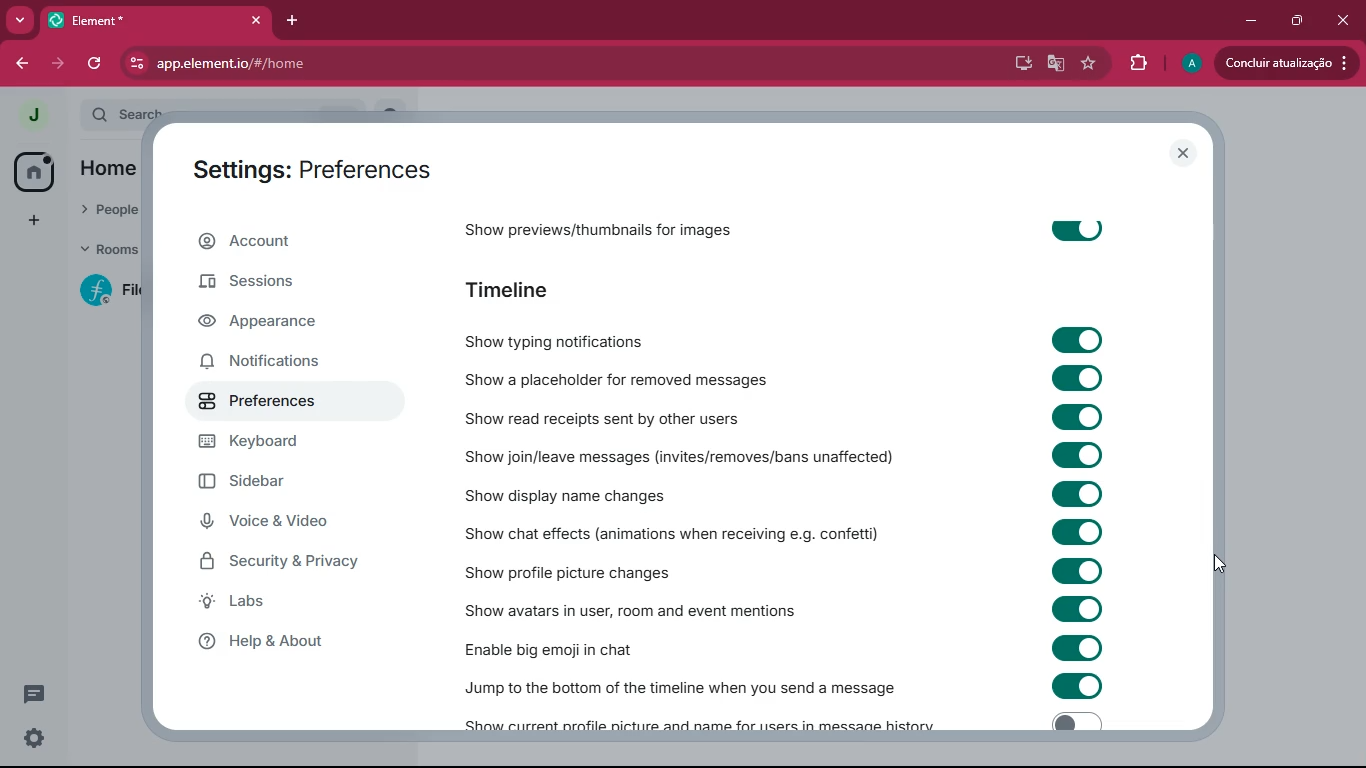  What do you see at coordinates (96, 63) in the screenshot?
I see `refresh` at bounding box center [96, 63].